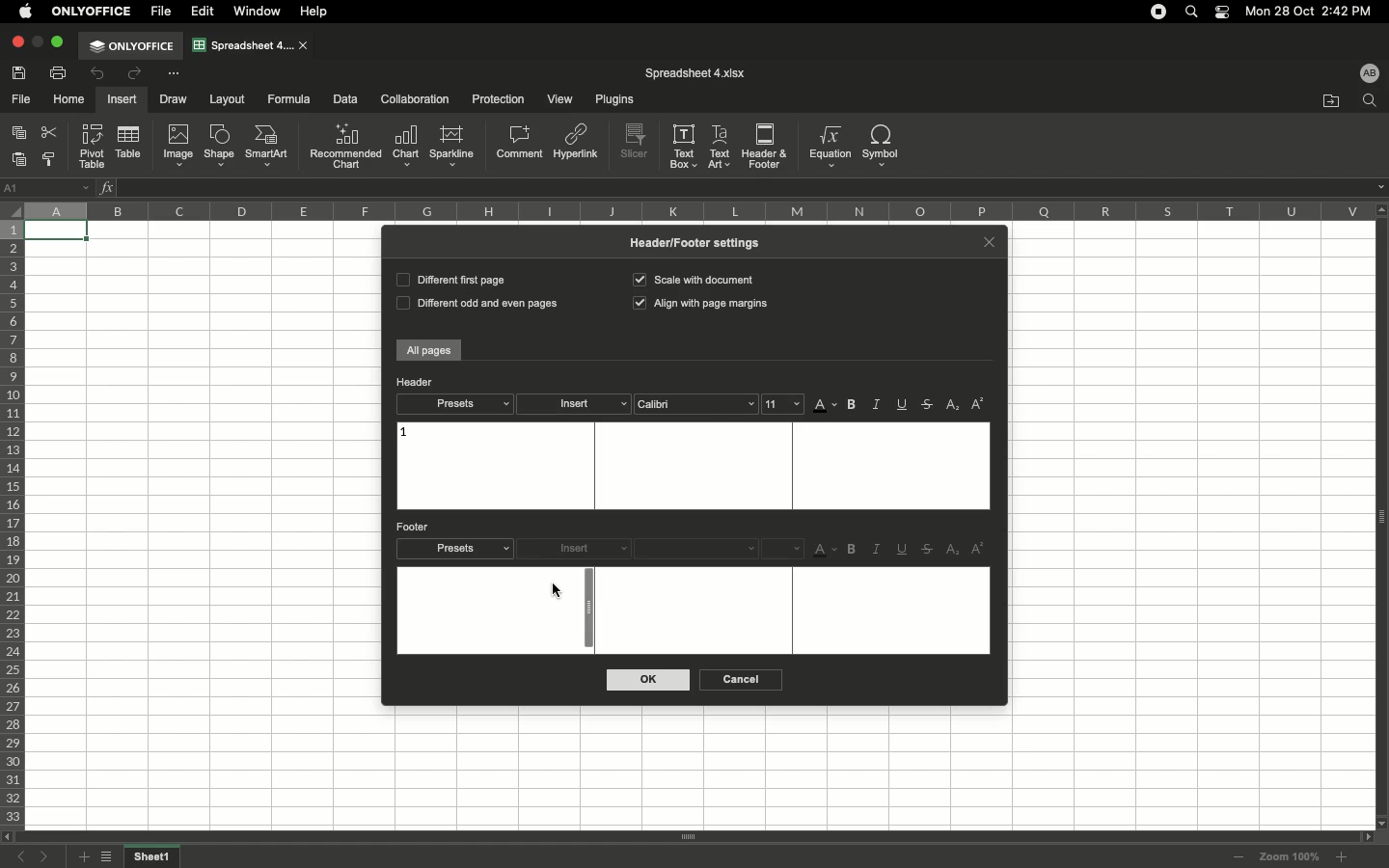  Describe the element at coordinates (404, 433) in the screenshot. I see `Header text` at that location.